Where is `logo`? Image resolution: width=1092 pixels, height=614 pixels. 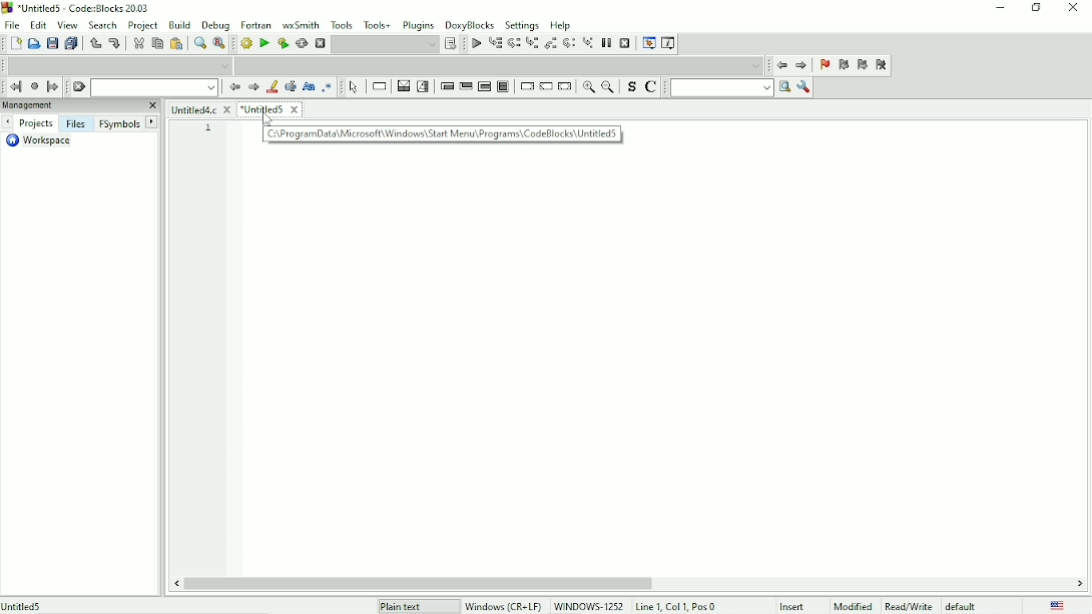 logo is located at coordinates (7, 7).